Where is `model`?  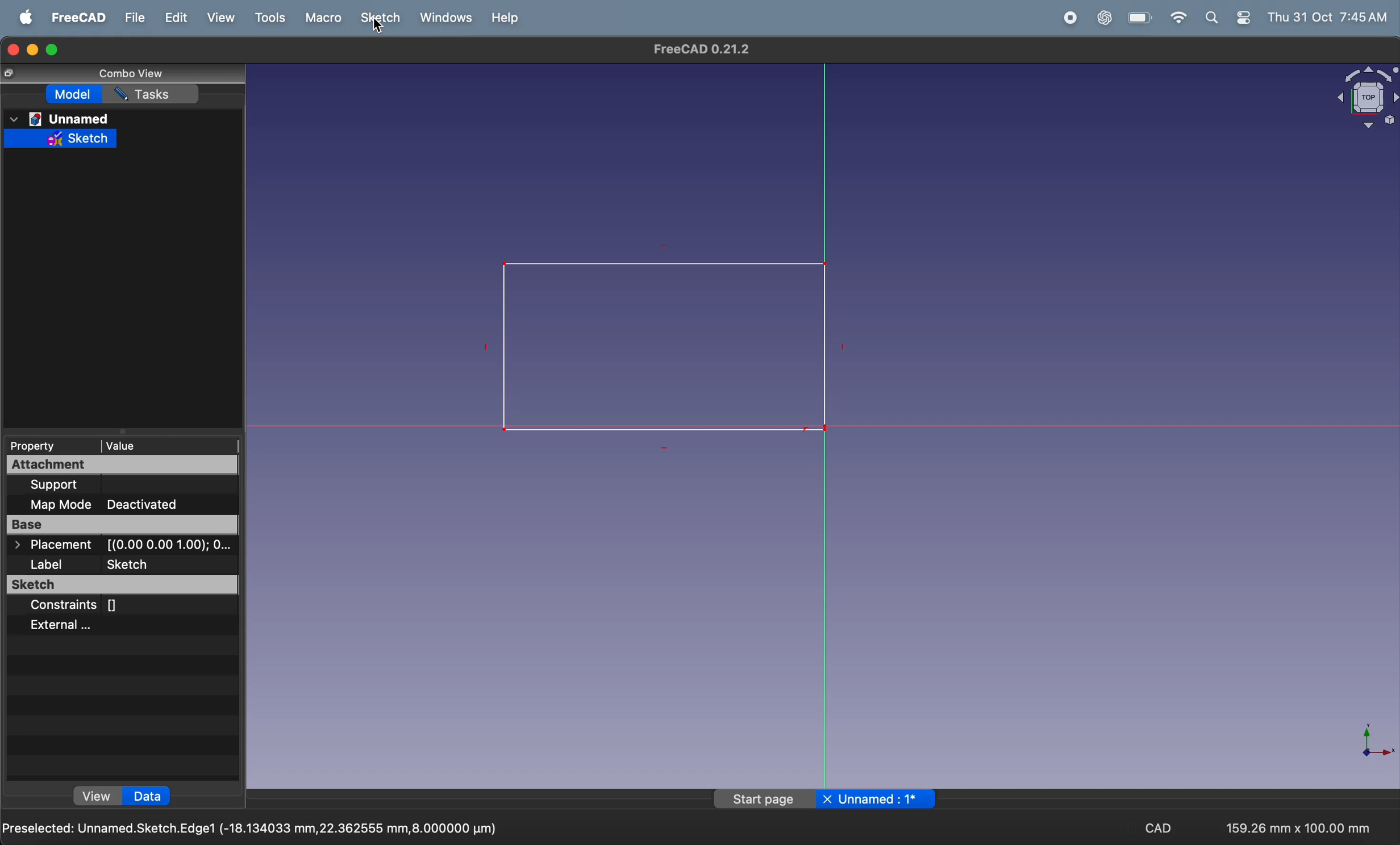
model is located at coordinates (77, 96).